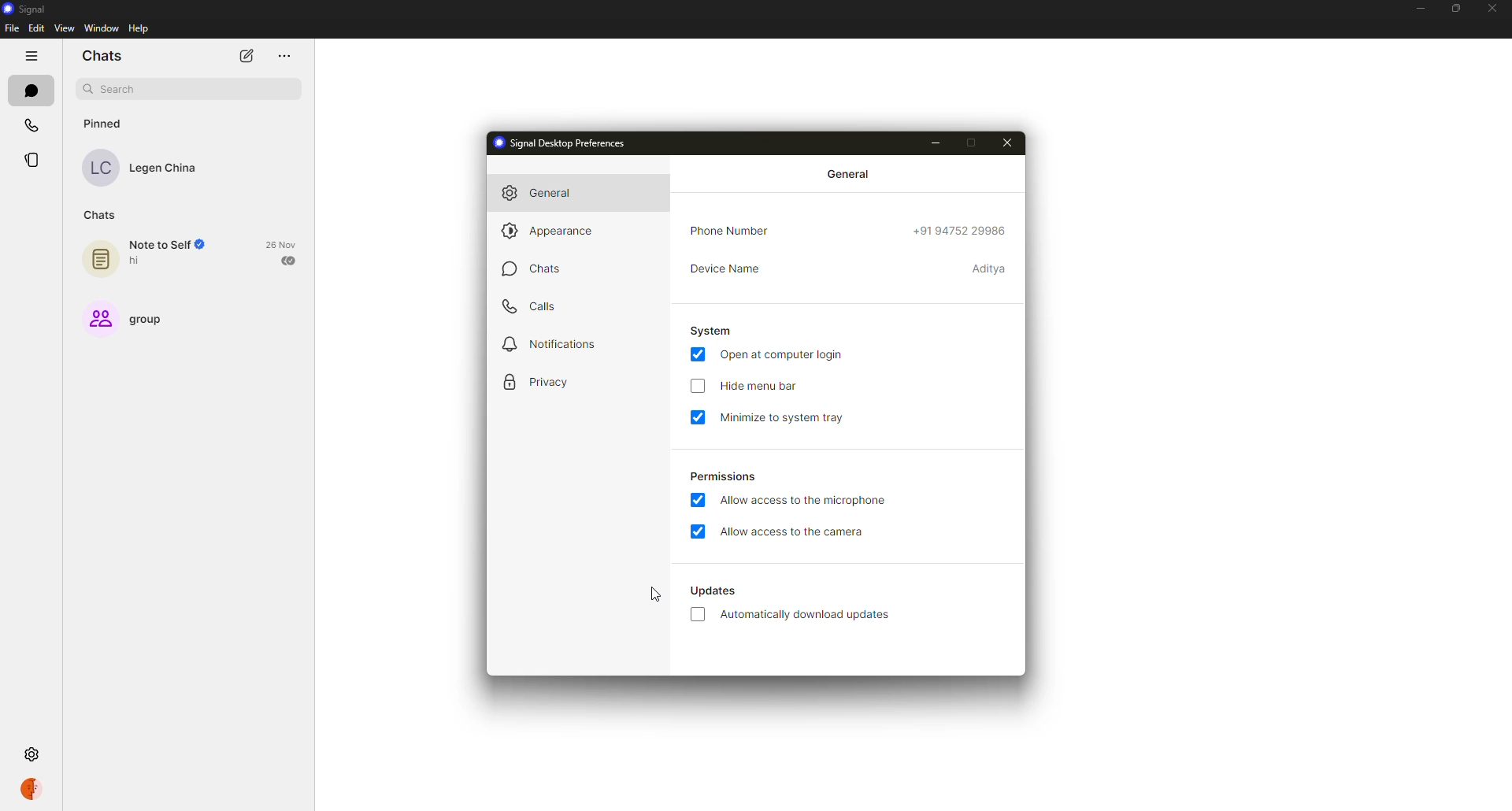 The width and height of the screenshot is (1512, 811). I want to click on chats, so click(99, 214).